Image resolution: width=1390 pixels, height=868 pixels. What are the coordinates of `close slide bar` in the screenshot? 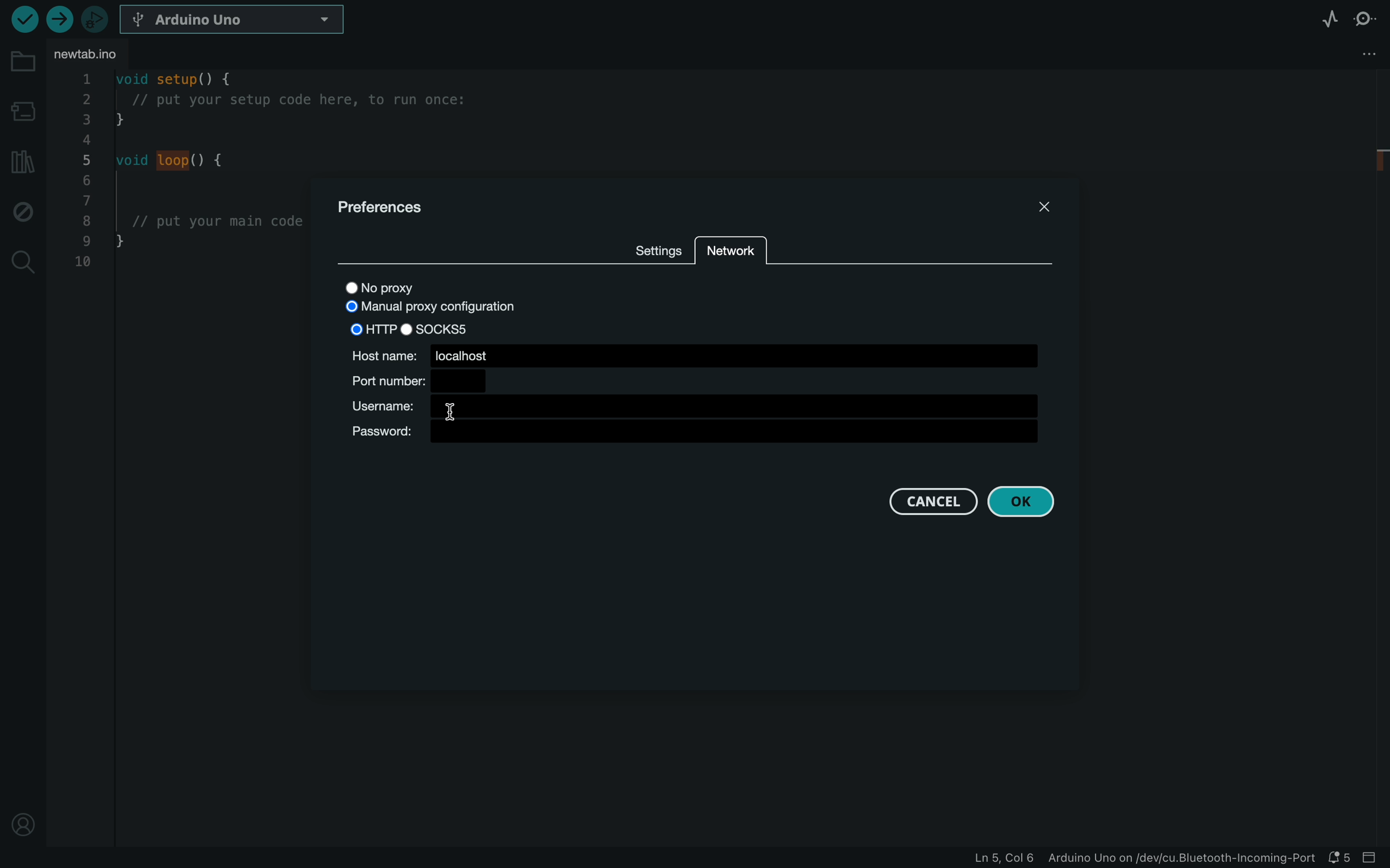 It's located at (1373, 858).